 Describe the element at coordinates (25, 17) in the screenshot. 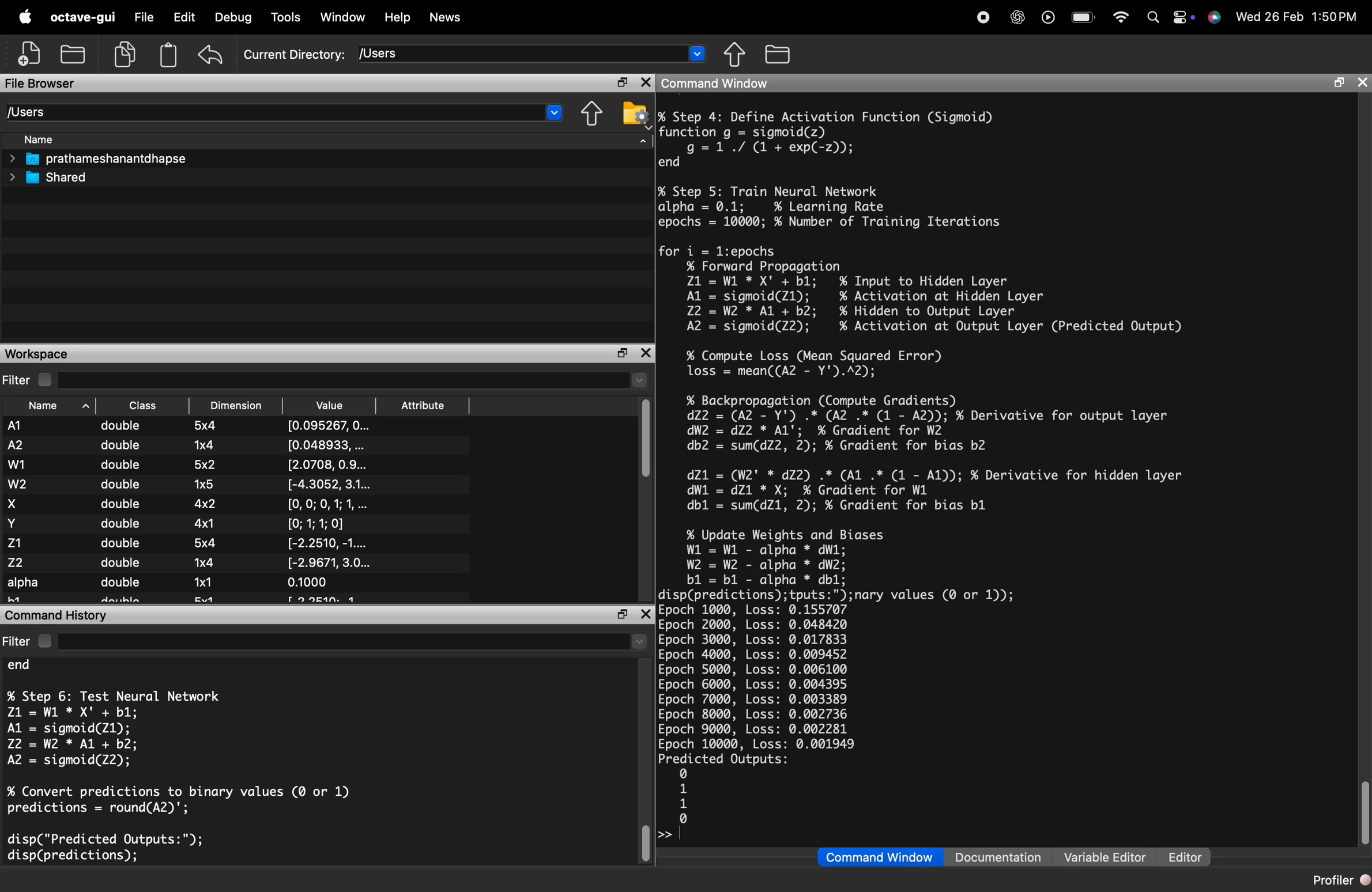

I see `logo` at that location.